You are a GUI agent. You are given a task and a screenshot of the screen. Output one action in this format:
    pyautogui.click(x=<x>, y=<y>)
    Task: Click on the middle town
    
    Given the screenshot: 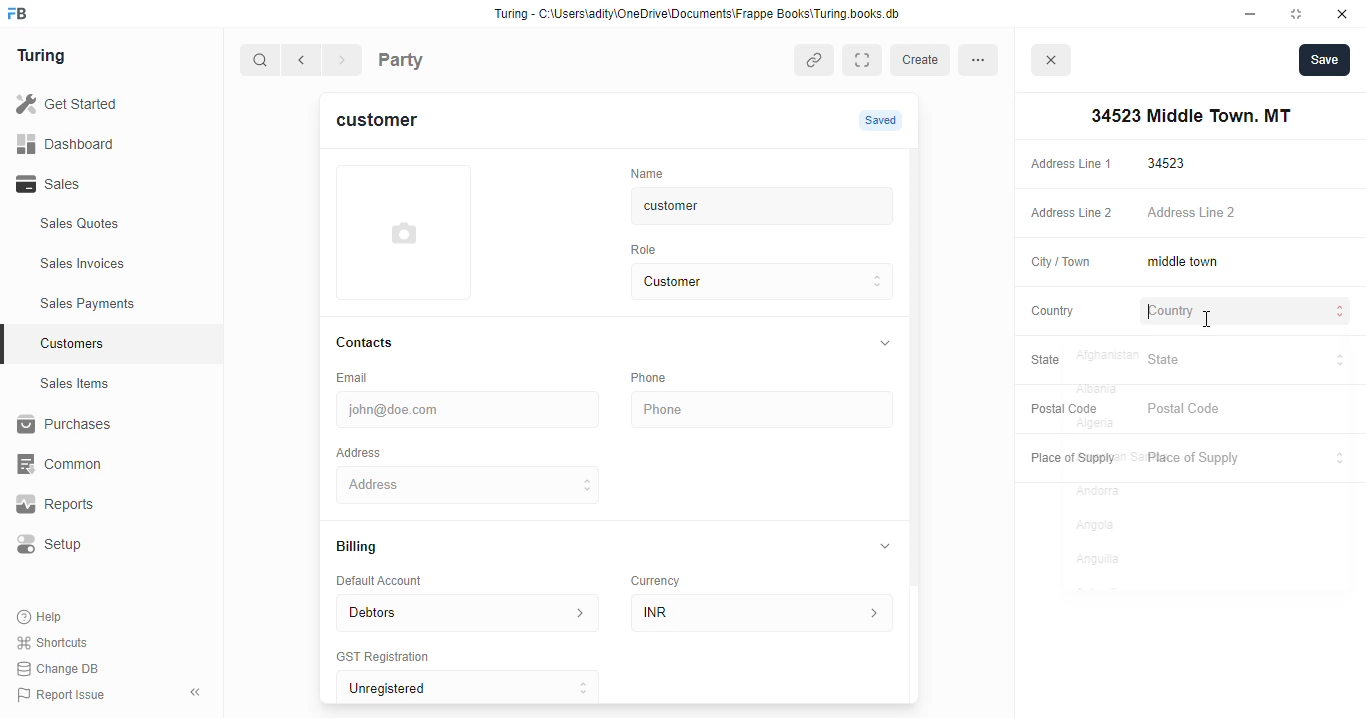 What is the action you would take?
    pyautogui.click(x=1246, y=263)
    